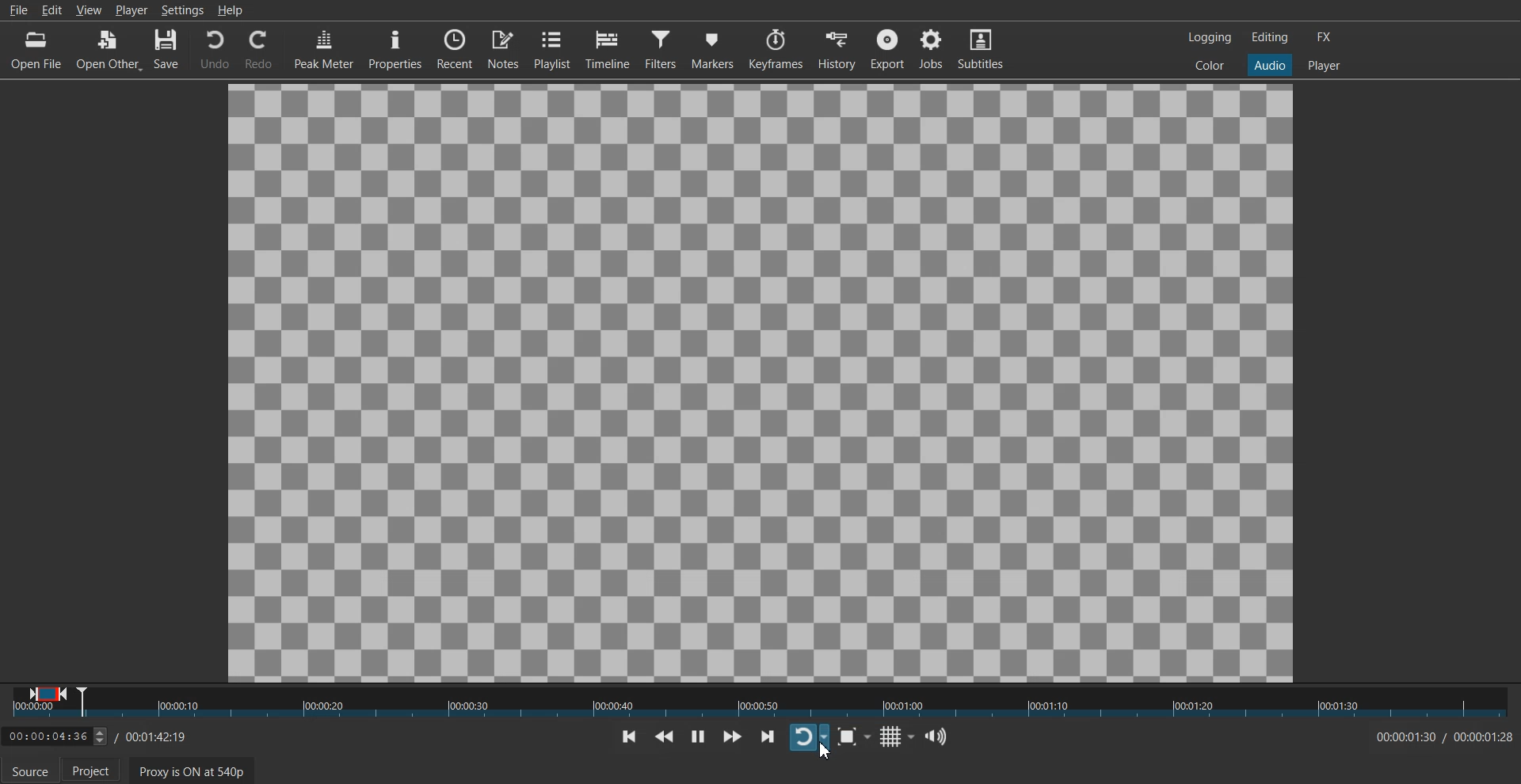 The width and height of the screenshot is (1521, 784). I want to click on Skip To previous point, so click(629, 736).